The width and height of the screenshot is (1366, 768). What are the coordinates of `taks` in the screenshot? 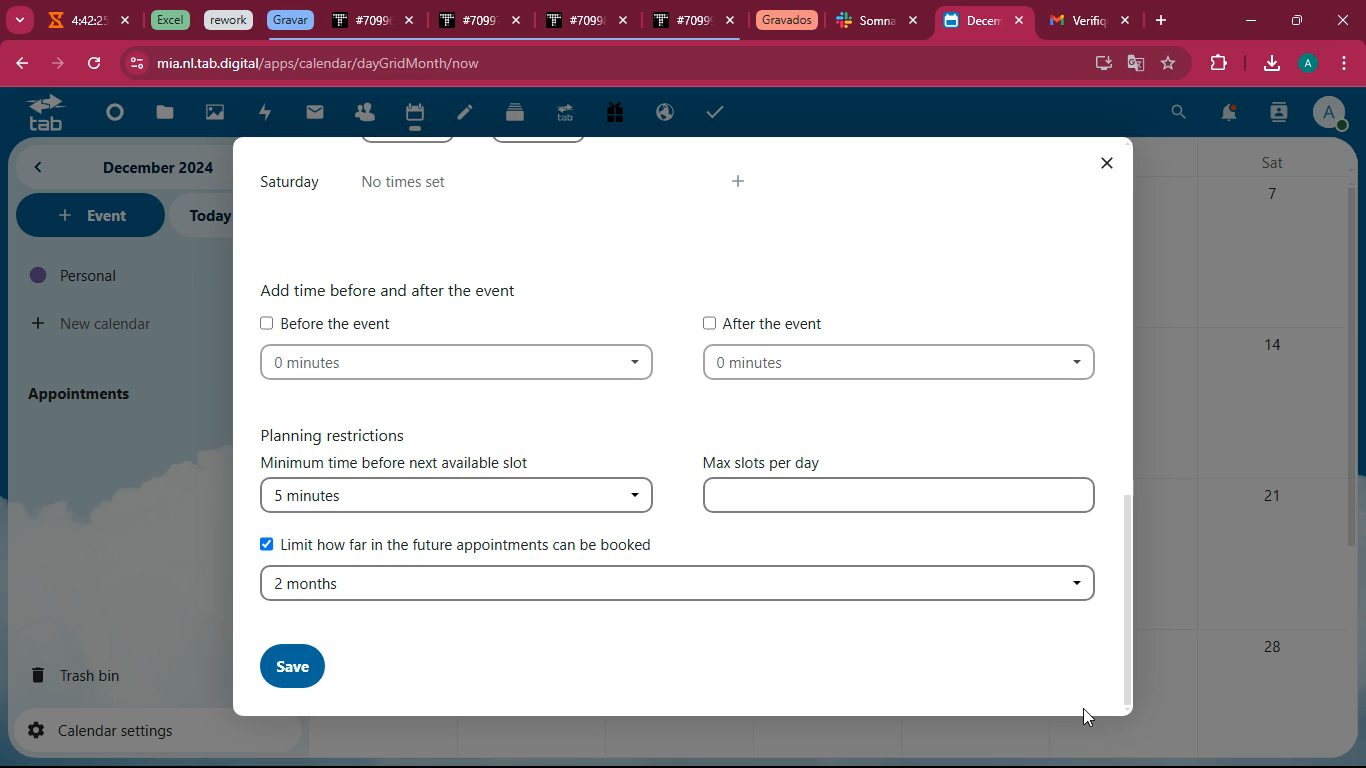 It's located at (718, 111).